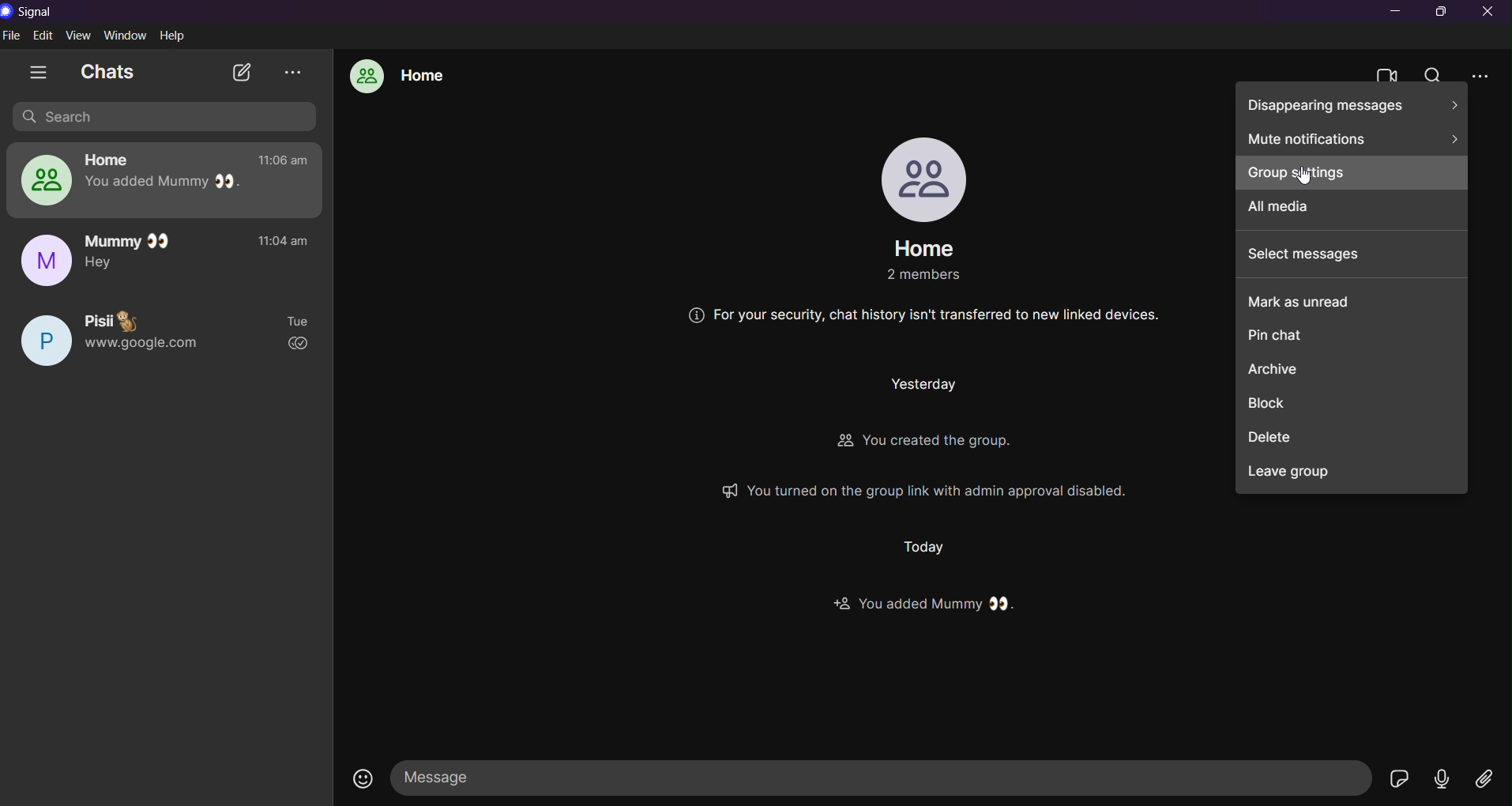  Describe the element at coordinates (110, 71) in the screenshot. I see `chats` at that location.